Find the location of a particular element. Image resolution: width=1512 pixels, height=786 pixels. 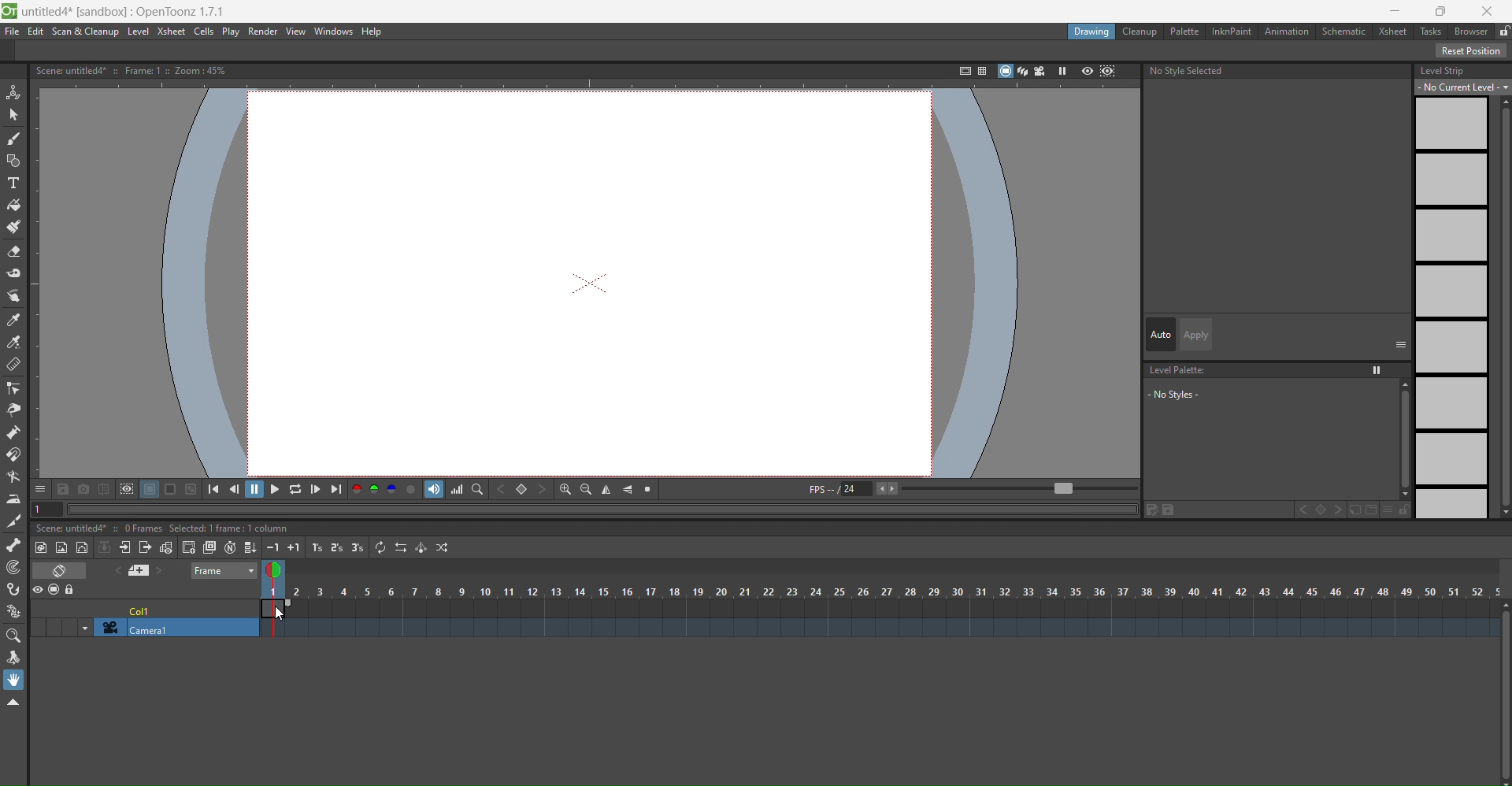

new vector level is located at coordinates (83, 547).